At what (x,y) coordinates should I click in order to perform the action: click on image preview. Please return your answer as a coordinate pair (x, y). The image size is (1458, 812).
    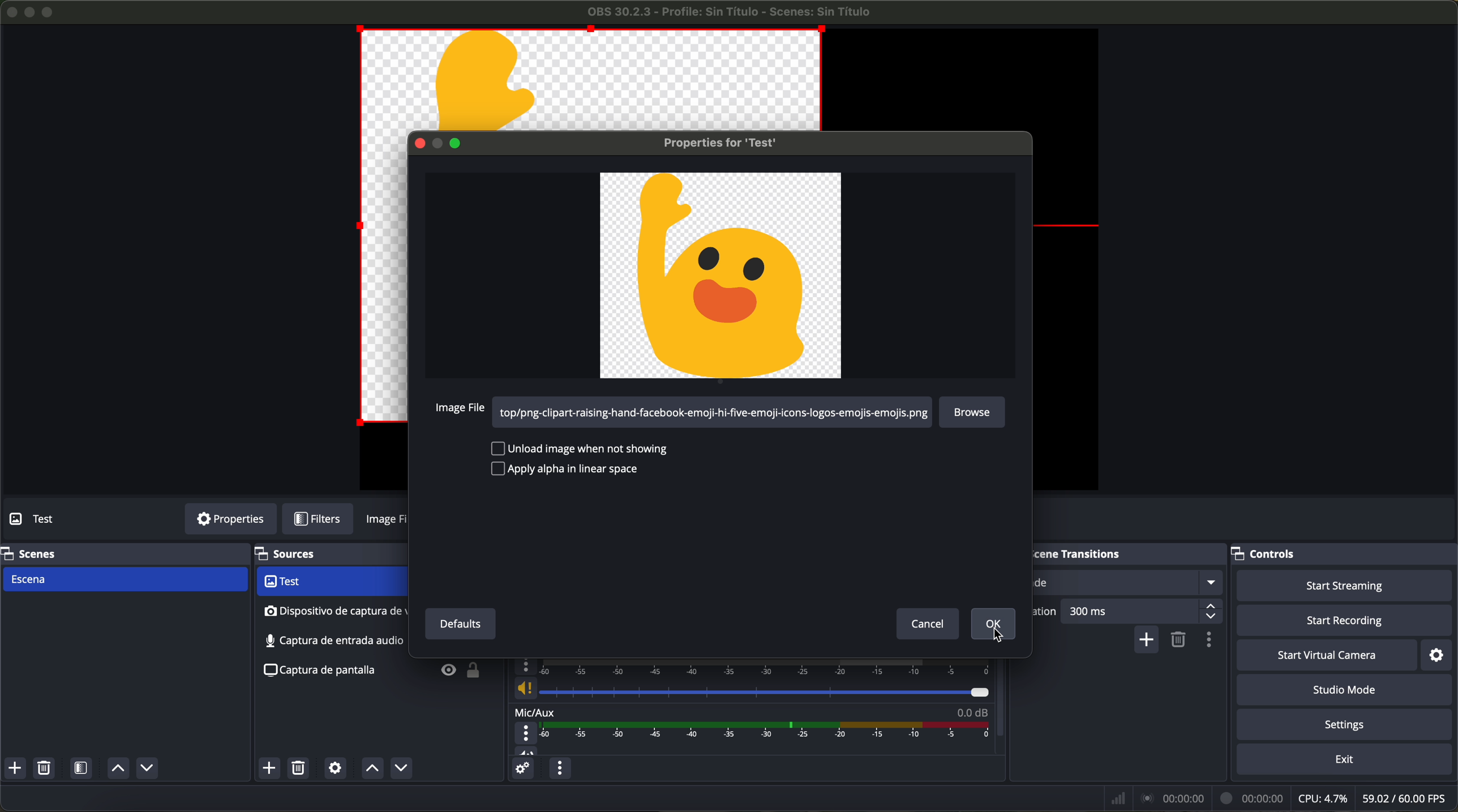
    Looking at the image, I should click on (721, 277).